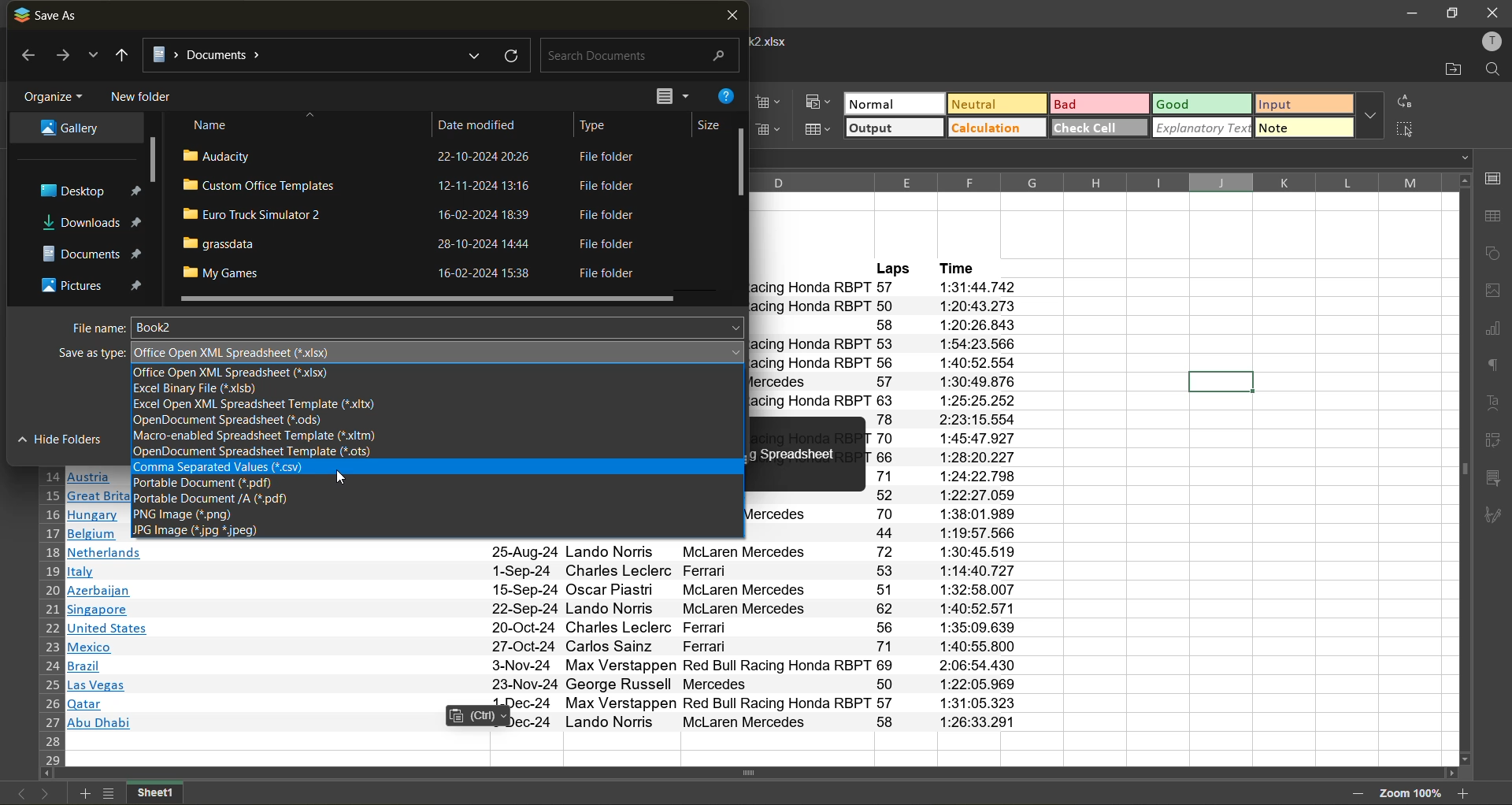 This screenshot has width=1512, height=805. I want to click on column name, so click(1095, 181).